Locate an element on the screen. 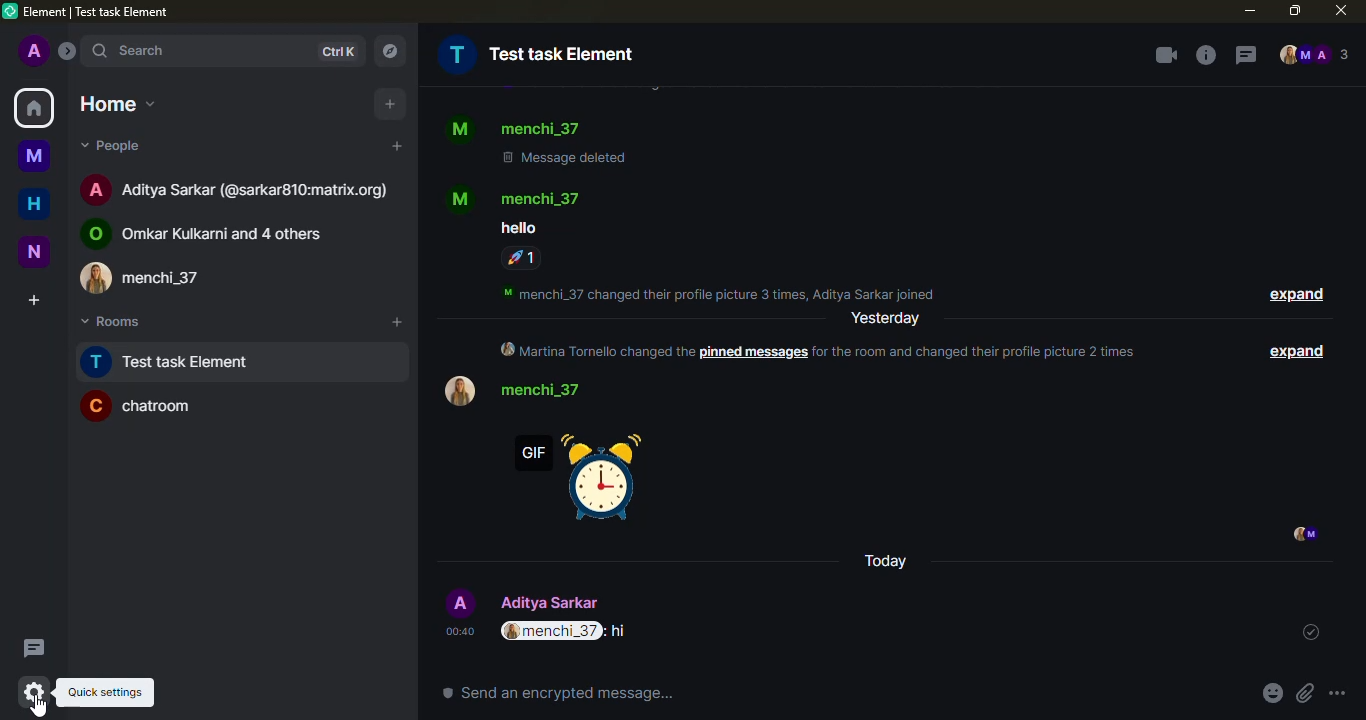 This screenshot has height=720, width=1366. personal is located at coordinates (557, 601).